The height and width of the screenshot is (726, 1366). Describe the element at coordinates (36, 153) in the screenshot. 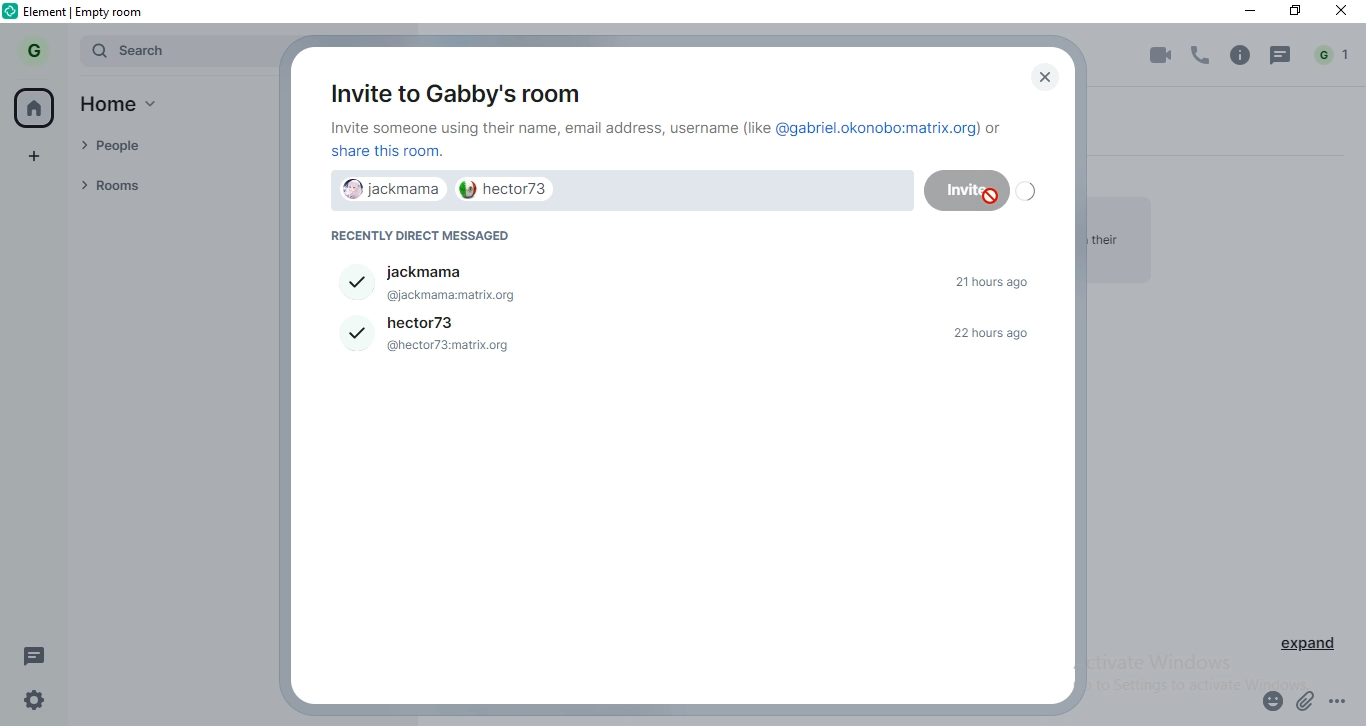

I see `add space` at that location.